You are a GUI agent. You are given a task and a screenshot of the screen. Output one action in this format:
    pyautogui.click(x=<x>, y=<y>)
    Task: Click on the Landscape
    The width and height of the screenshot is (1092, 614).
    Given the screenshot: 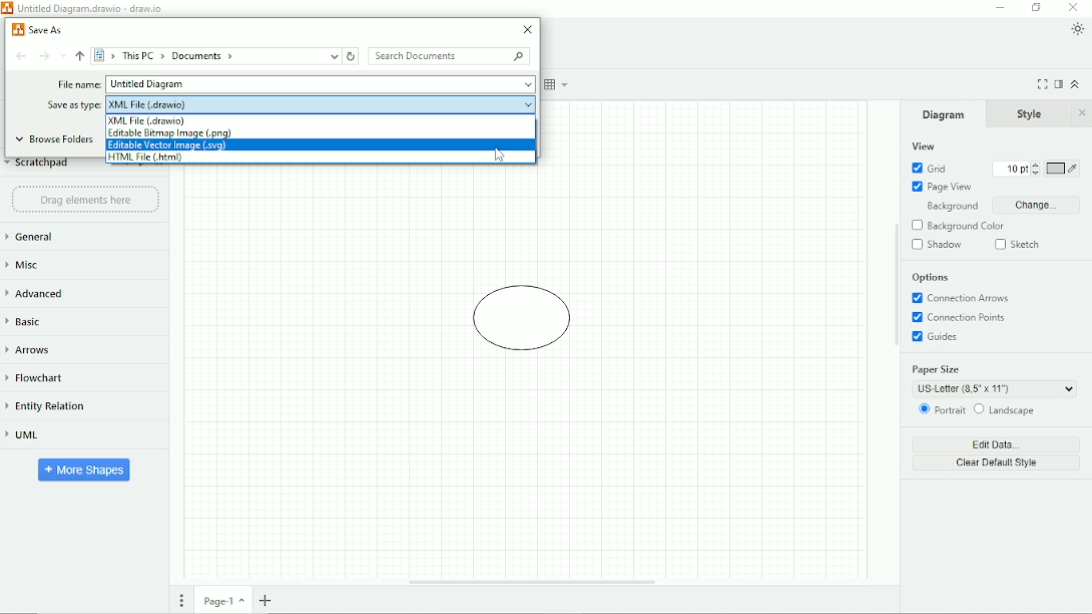 What is the action you would take?
    pyautogui.click(x=1004, y=409)
    